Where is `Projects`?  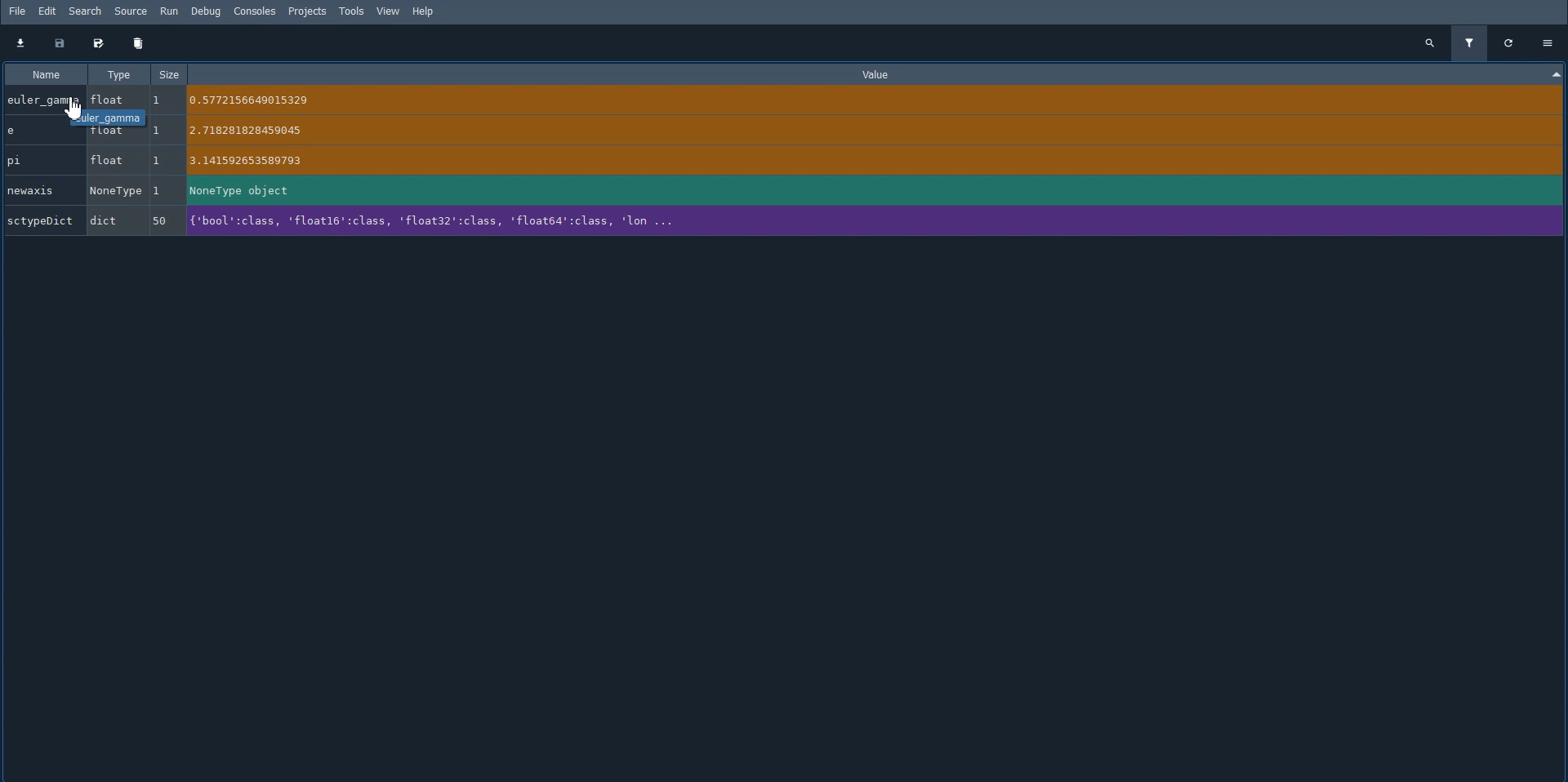 Projects is located at coordinates (306, 11).